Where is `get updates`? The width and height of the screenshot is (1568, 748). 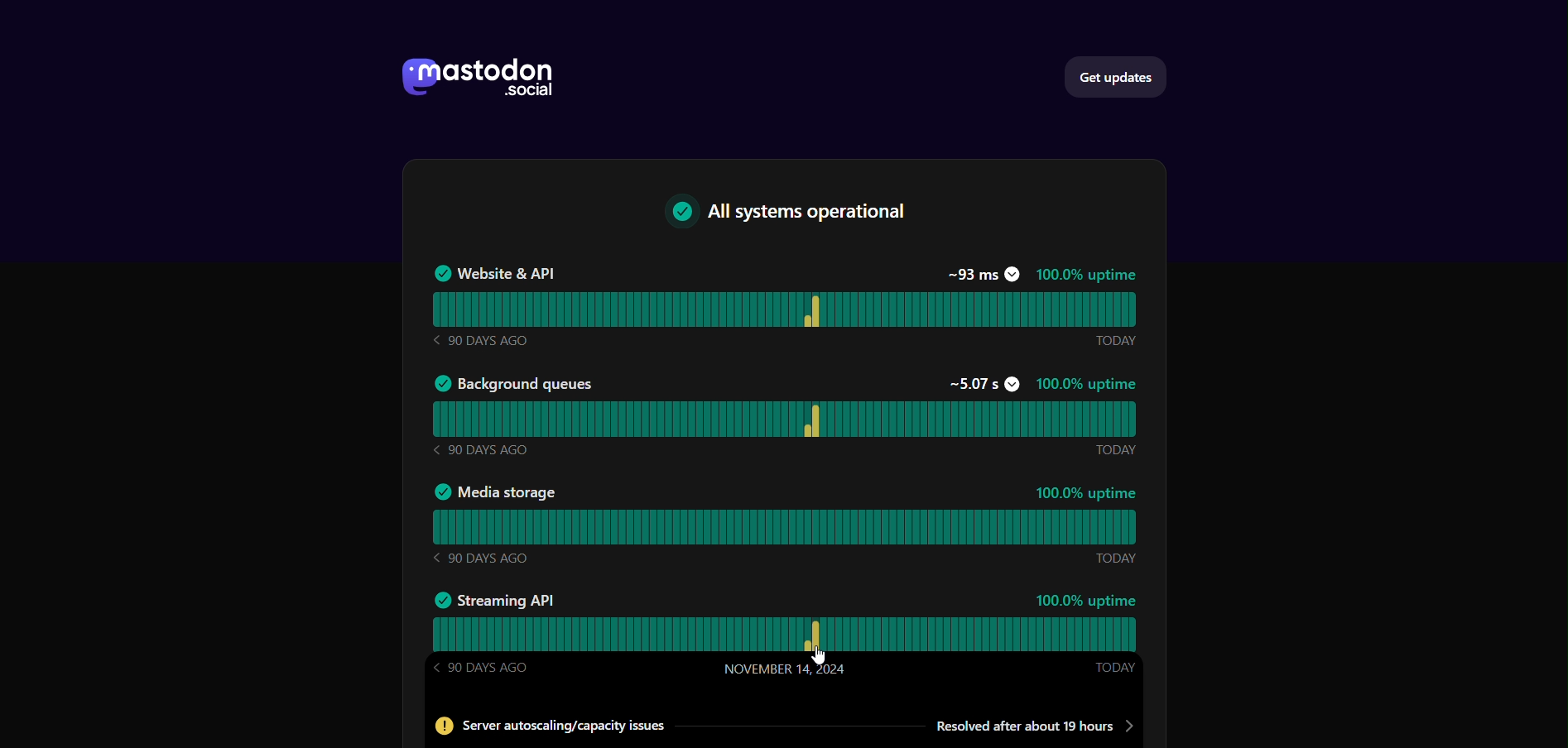 get updates is located at coordinates (1122, 75).